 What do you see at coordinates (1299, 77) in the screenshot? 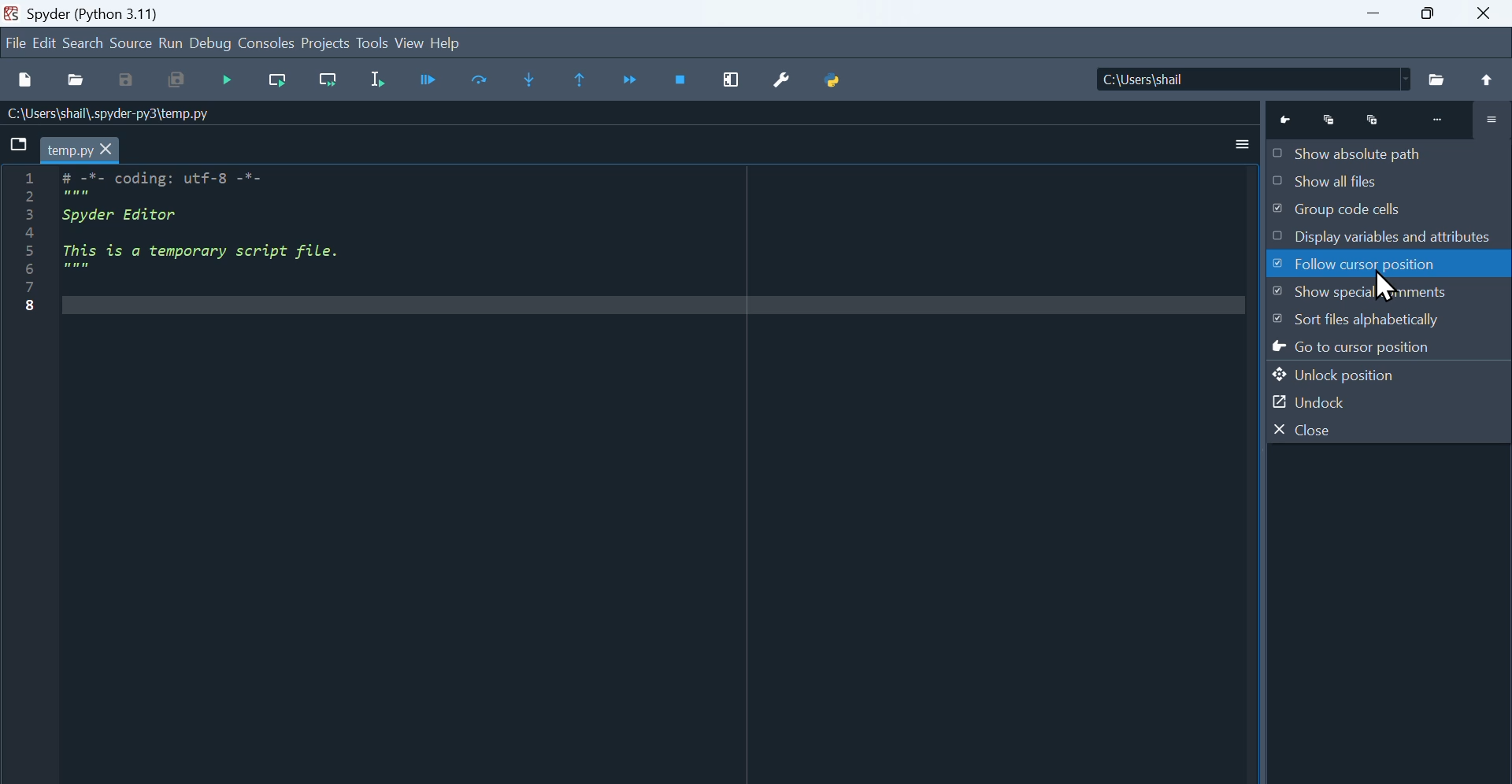
I see `Location of the file` at bounding box center [1299, 77].